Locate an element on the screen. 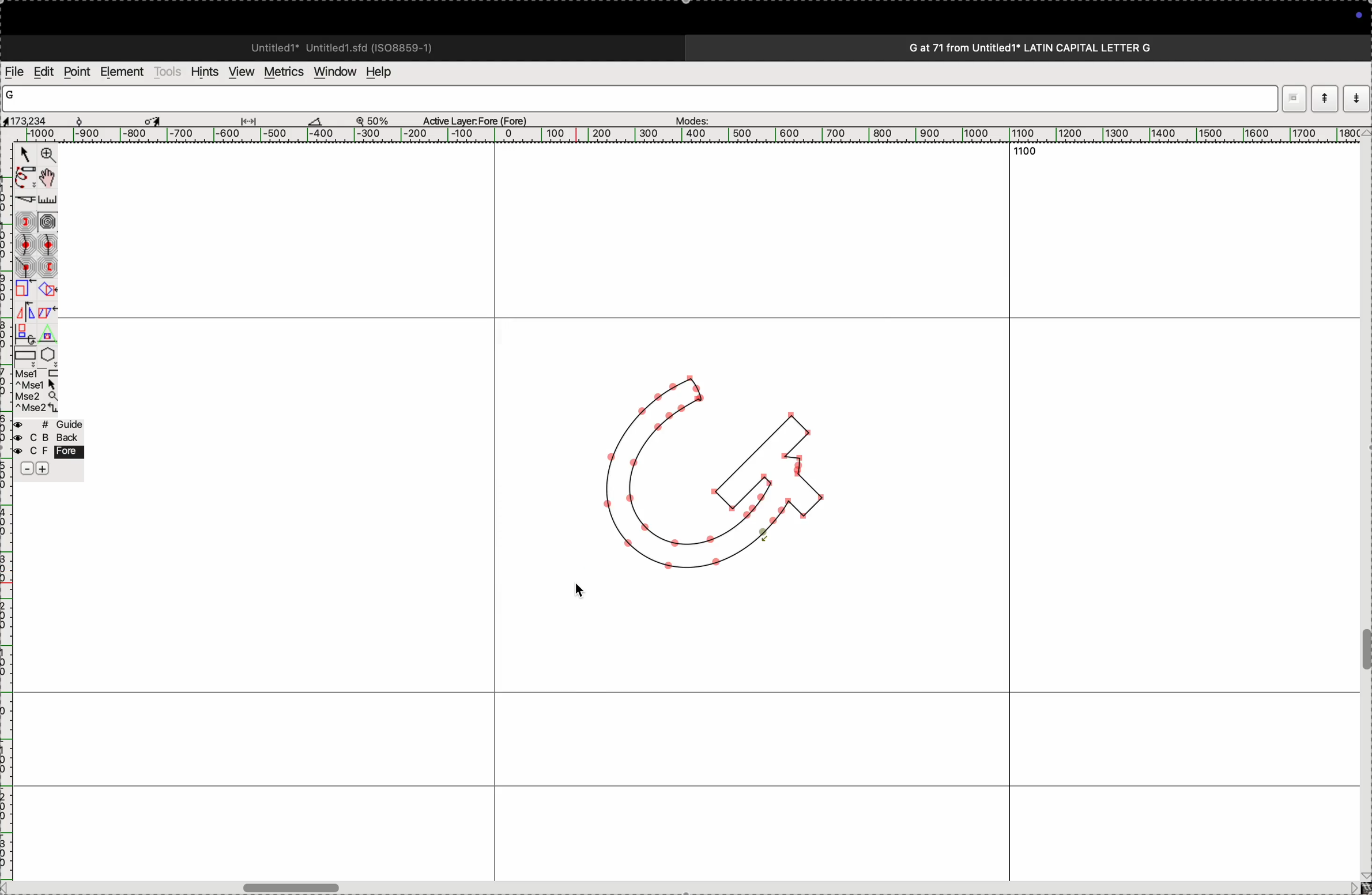 The image size is (1372, 895). previous constraint point is located at coordinates (48, 267).